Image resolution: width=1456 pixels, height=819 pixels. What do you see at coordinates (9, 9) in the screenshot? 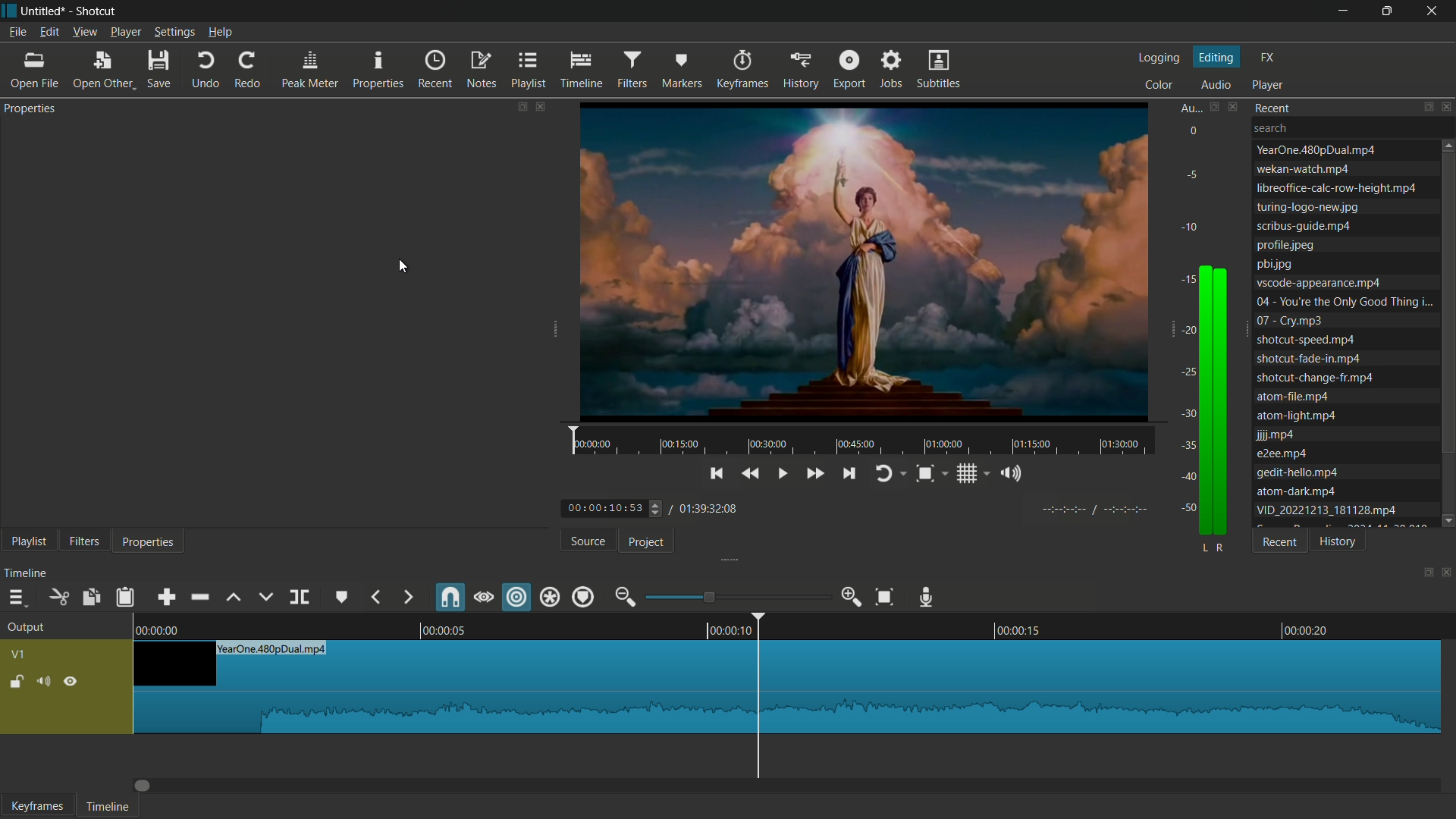
I see `app icon` at bounding box center [9, 9].